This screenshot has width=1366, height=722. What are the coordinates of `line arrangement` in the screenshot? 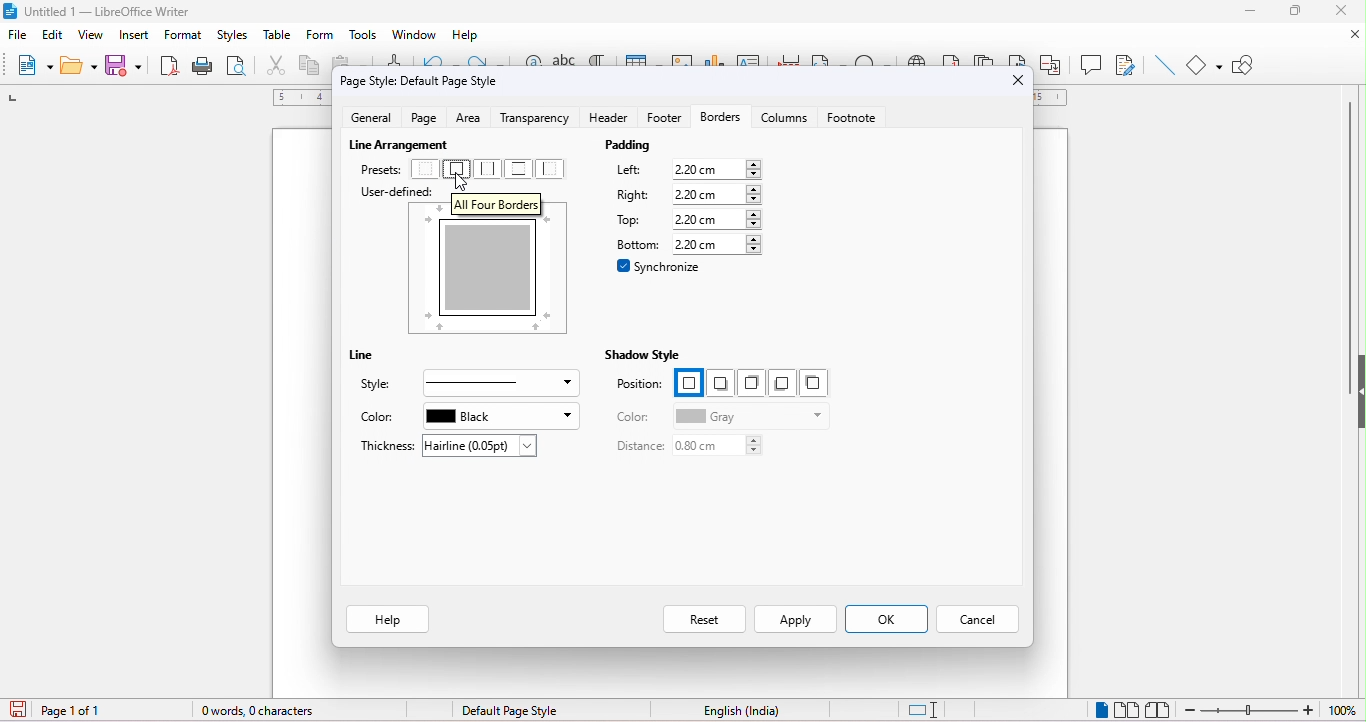 It's located at (391, 145).